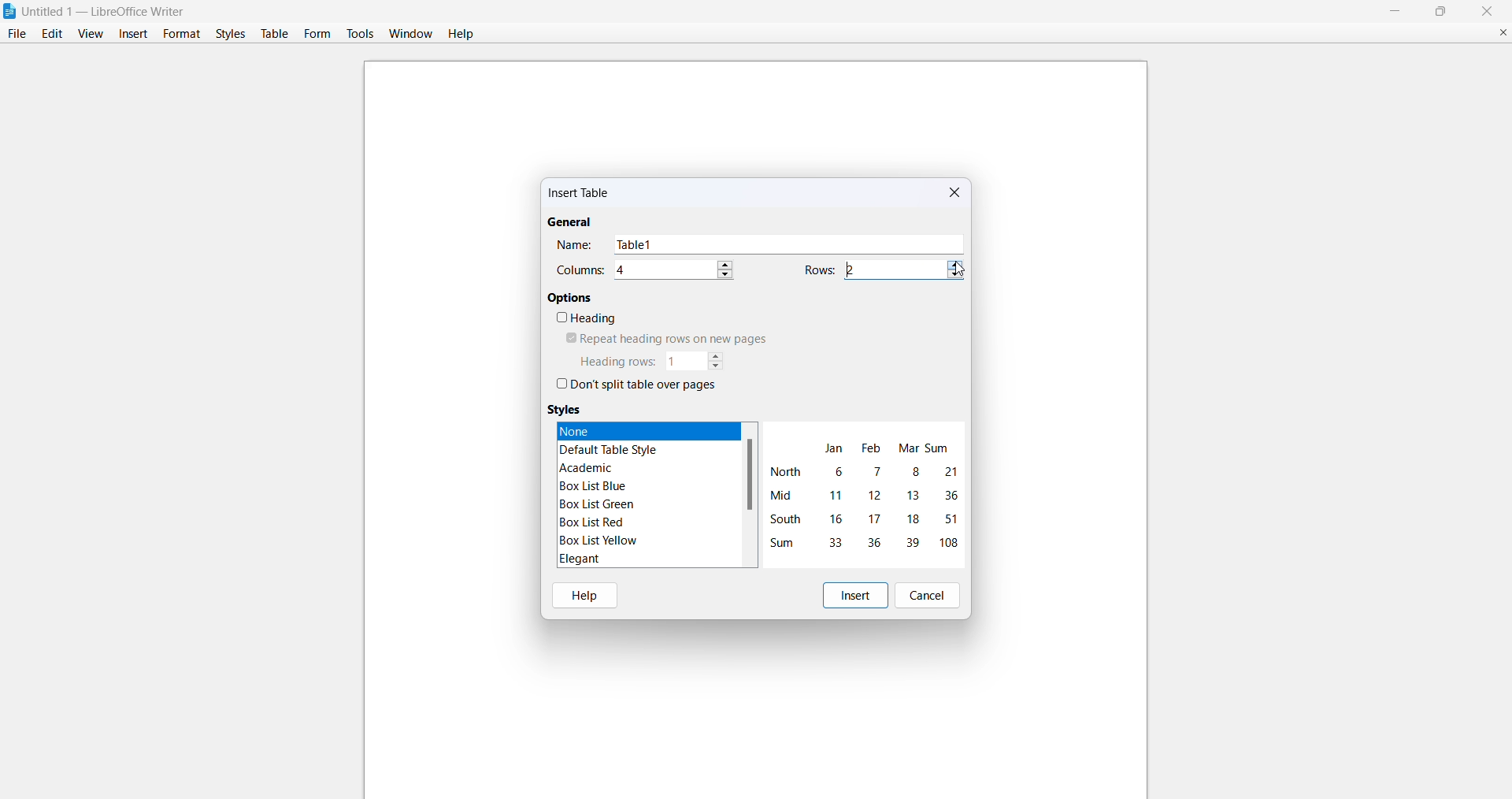  I want to click on minimize, so click(1391, 10).